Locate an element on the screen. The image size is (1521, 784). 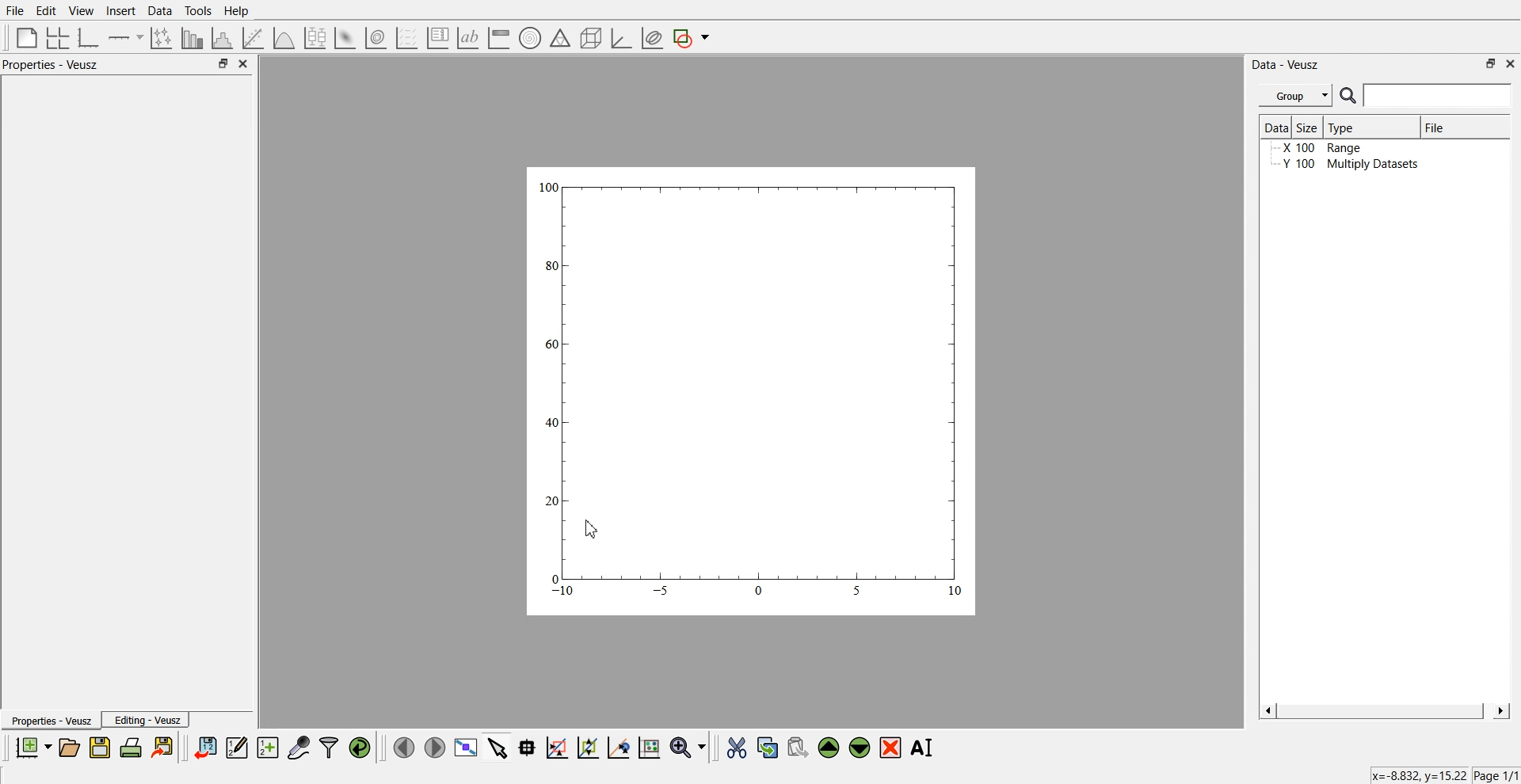
Size is located at coordinates (1309, 127).